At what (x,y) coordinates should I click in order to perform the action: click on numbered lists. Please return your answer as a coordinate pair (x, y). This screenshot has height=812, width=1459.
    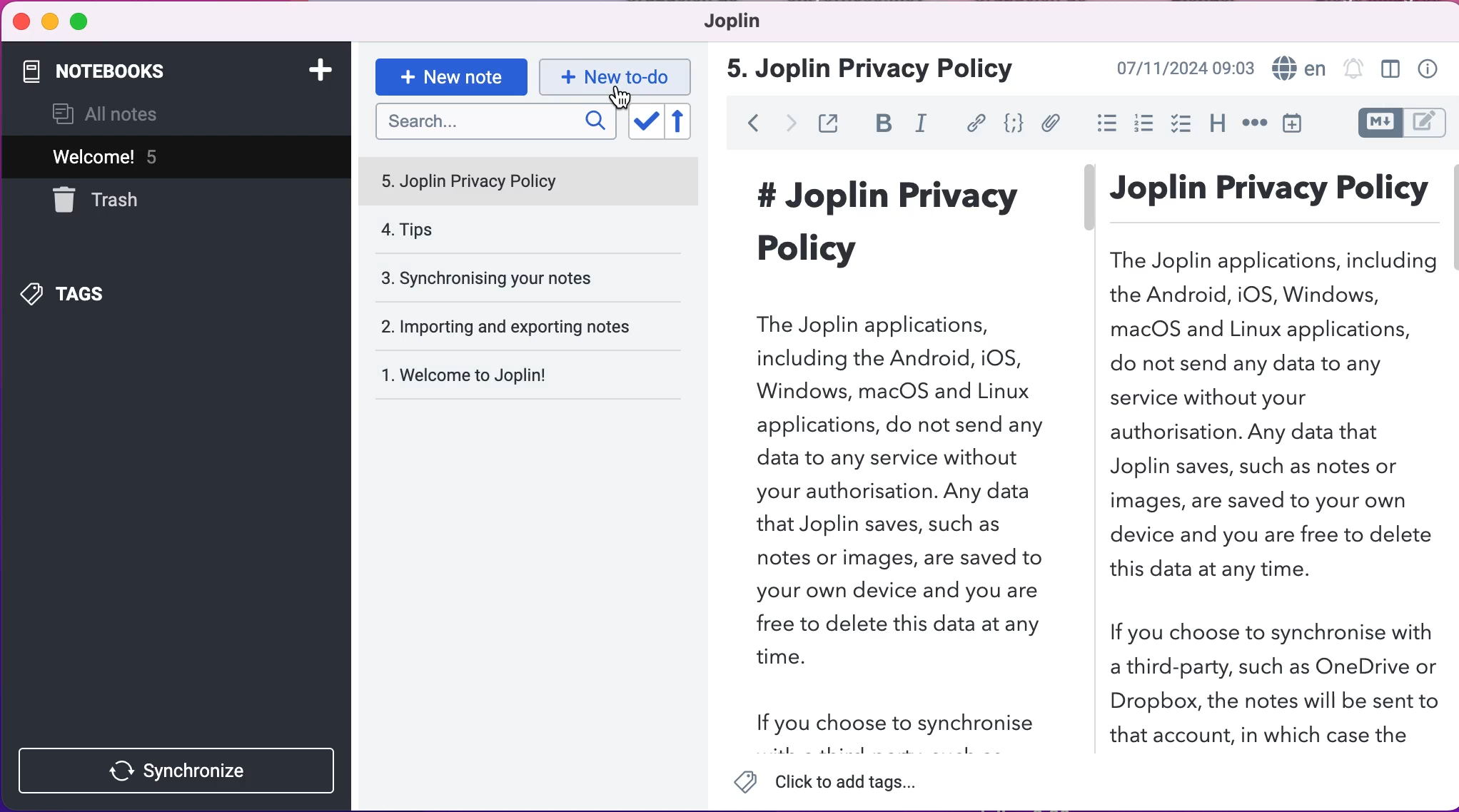
    Looking at the image, I should click on (1144, 126).